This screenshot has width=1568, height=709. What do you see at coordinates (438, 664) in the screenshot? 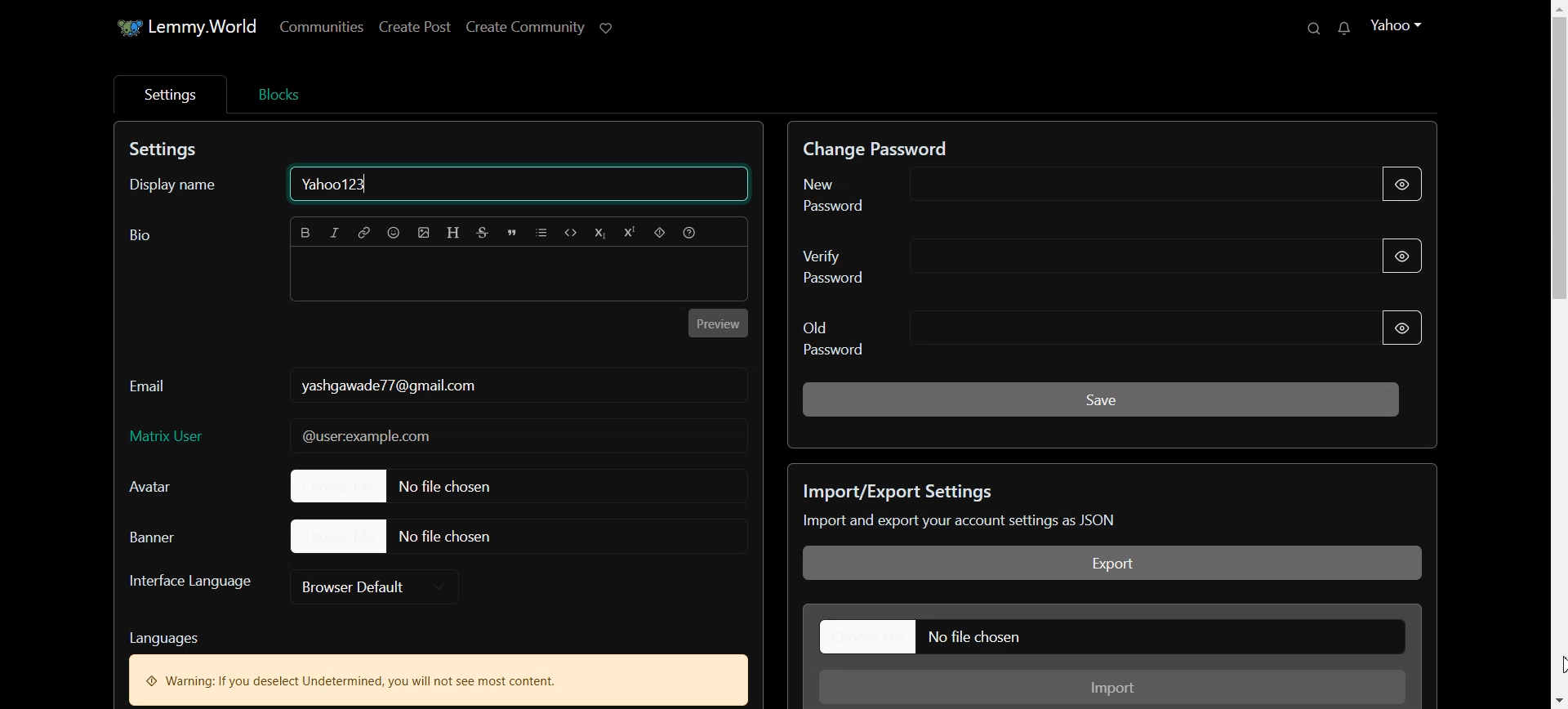
I see `Text` at bounding box center [438, 664].